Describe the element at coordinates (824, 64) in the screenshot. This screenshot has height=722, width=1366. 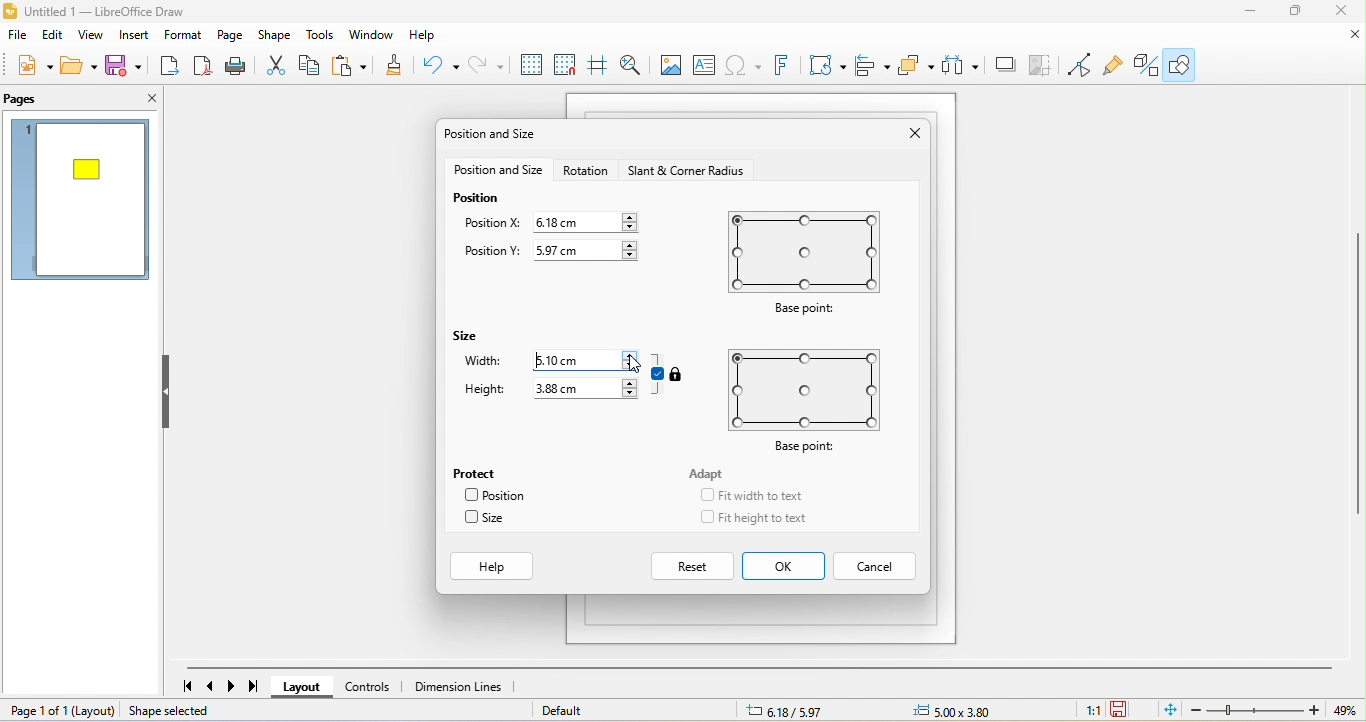
I see `transformation` at that location.